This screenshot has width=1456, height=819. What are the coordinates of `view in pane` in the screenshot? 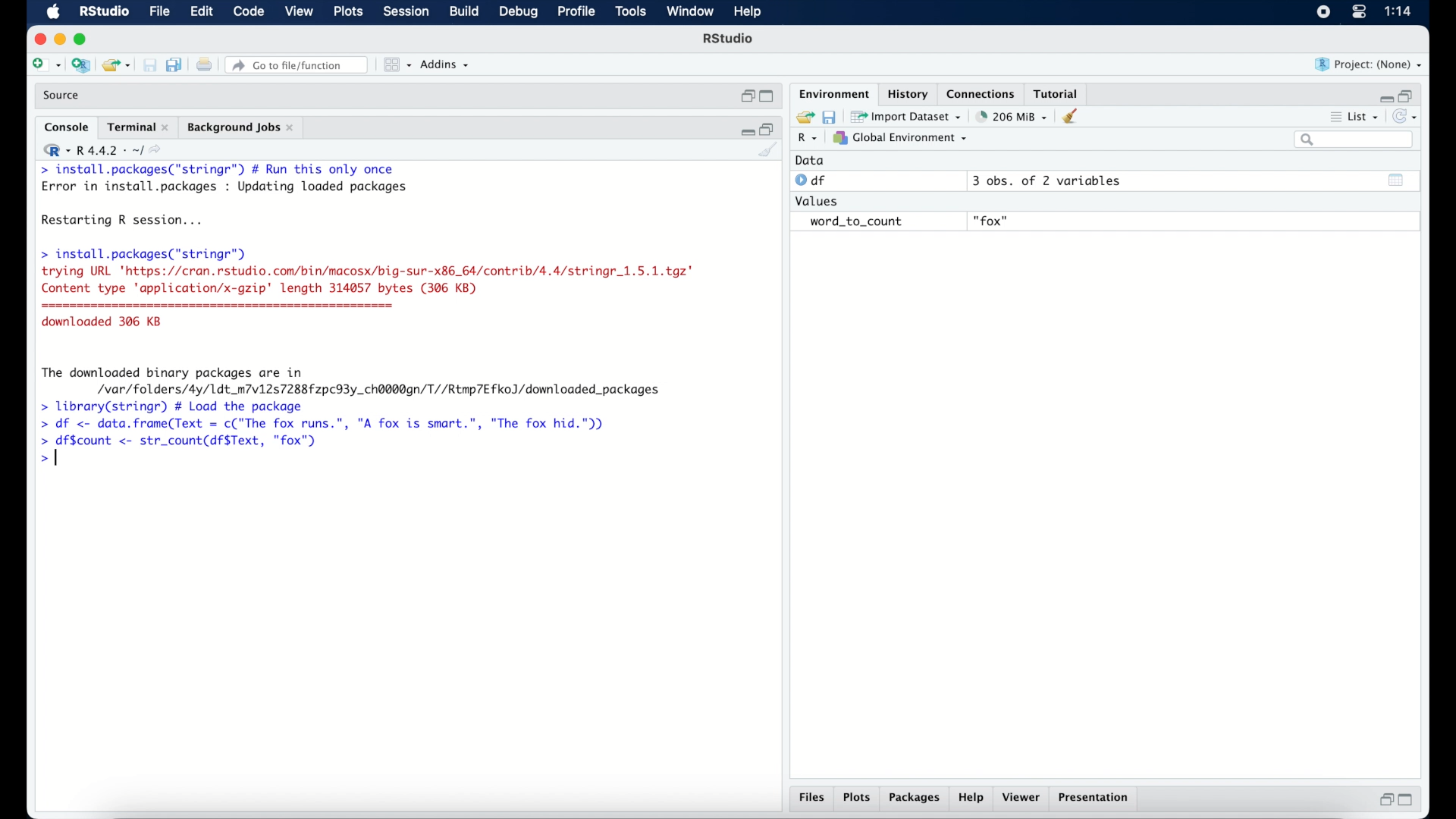 It's located at (396, 65).